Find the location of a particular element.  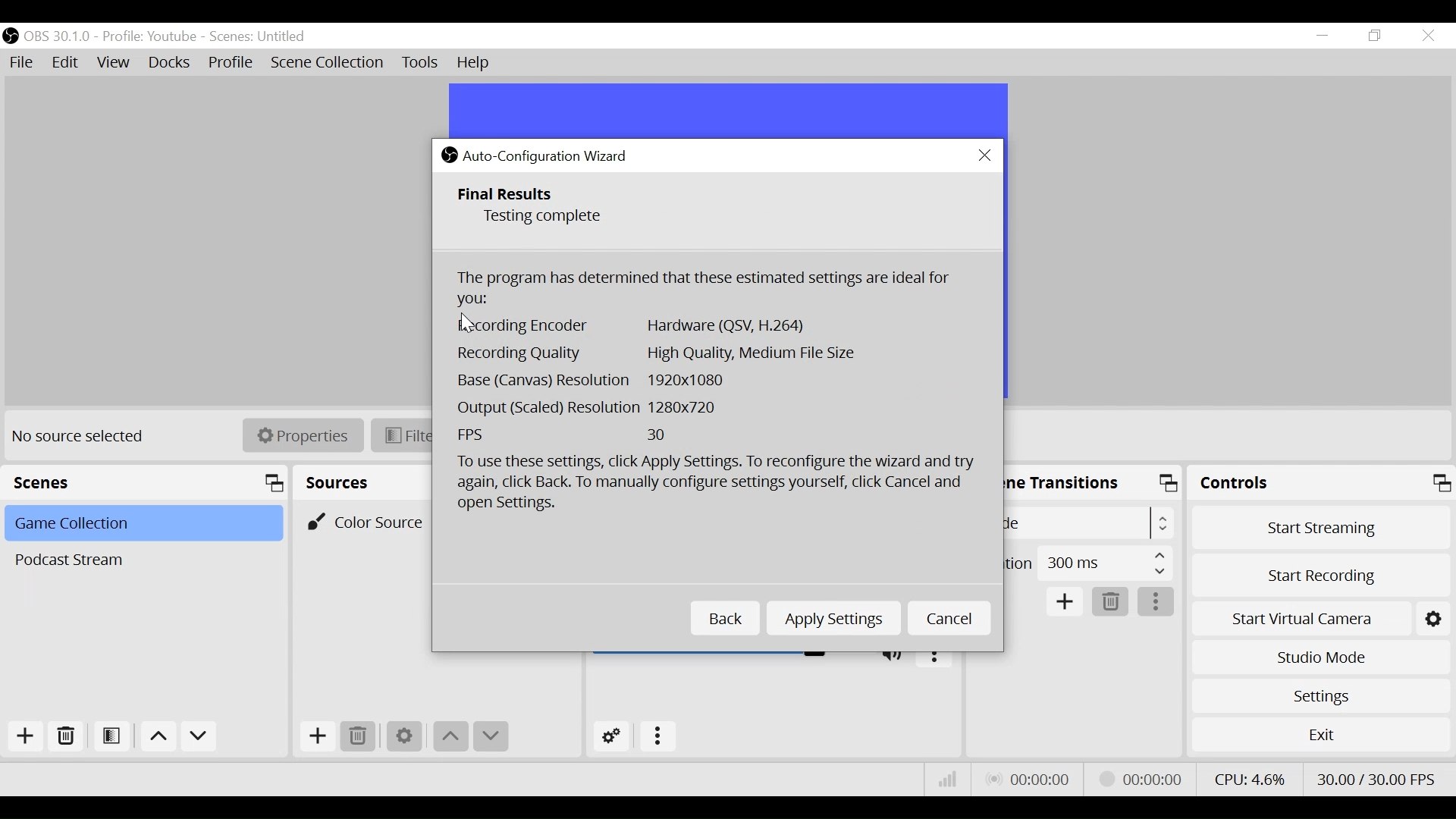

Apply Settings is located at coordinates (834, 618).